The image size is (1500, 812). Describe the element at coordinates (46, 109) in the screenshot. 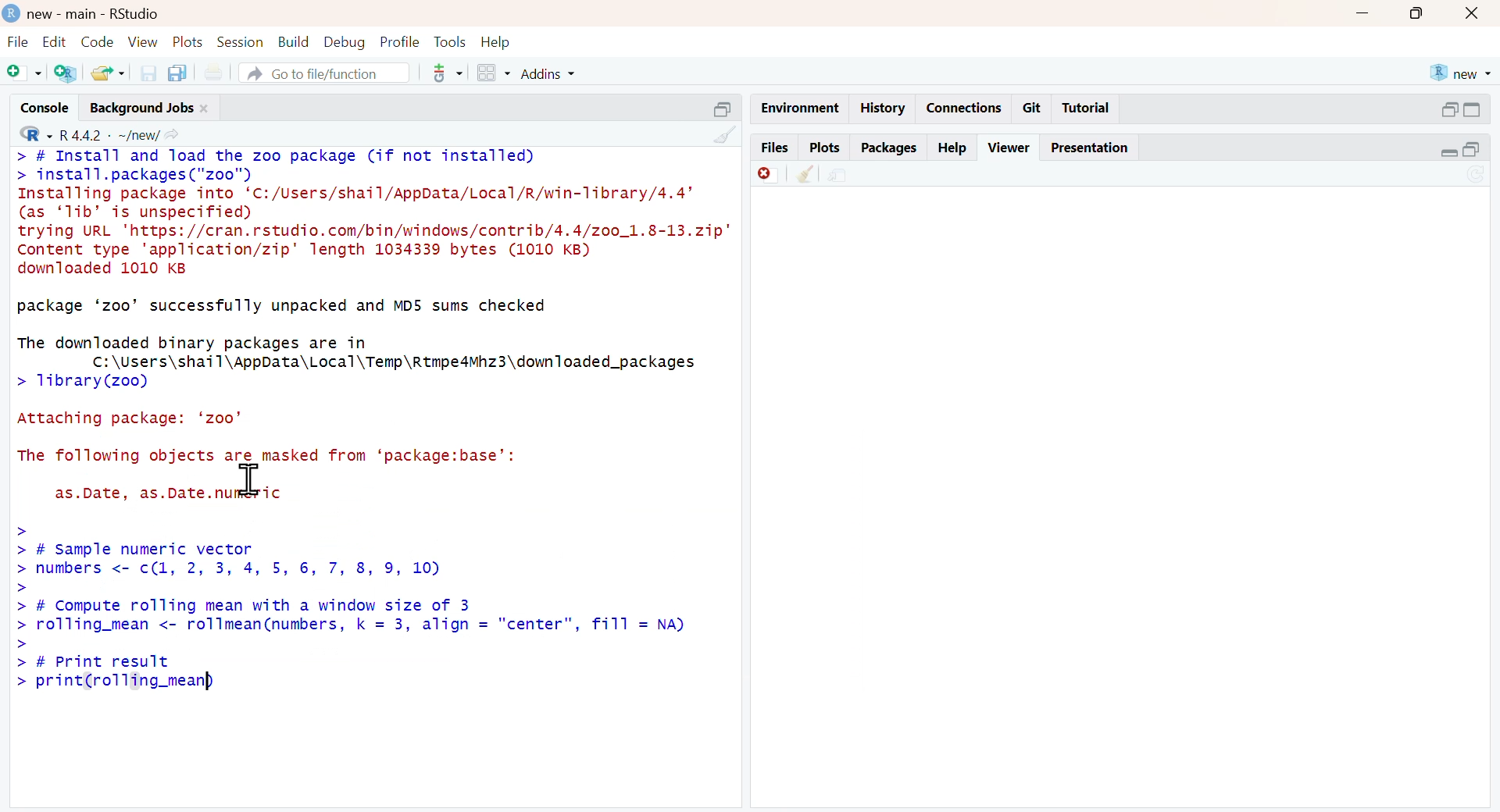

I see `console` at that location.